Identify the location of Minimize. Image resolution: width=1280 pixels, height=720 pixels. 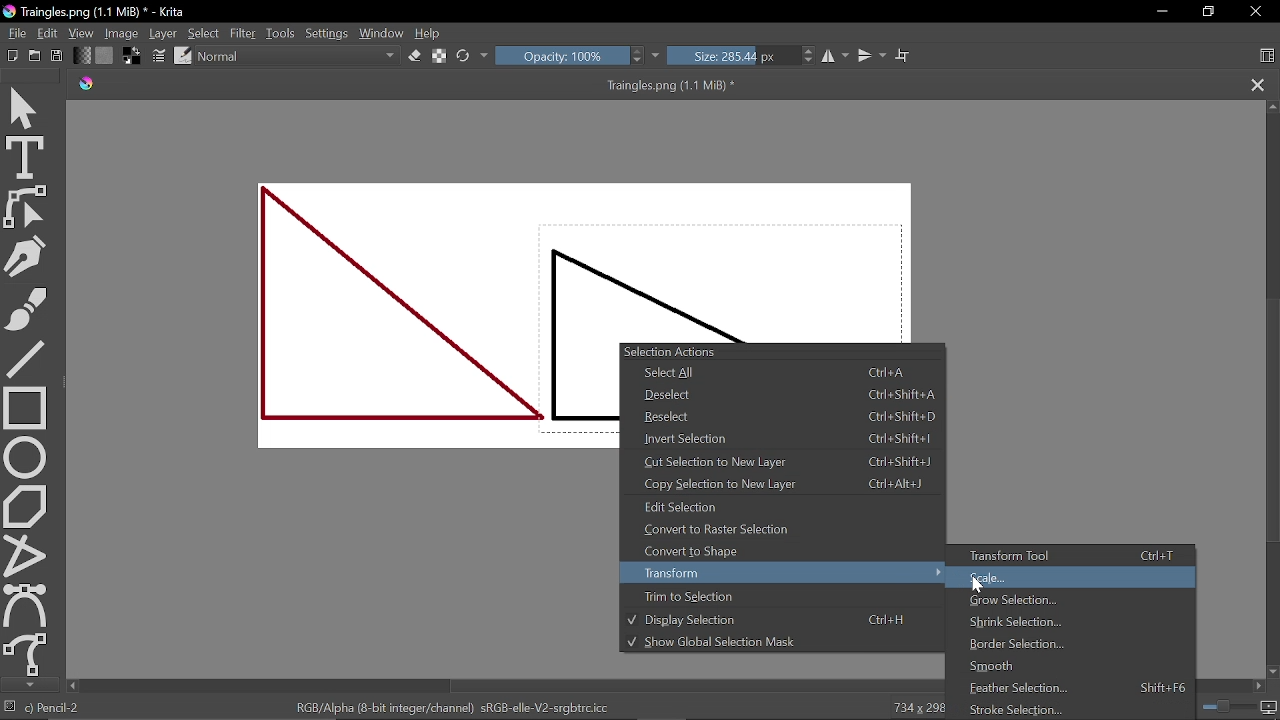
(1157, 13).